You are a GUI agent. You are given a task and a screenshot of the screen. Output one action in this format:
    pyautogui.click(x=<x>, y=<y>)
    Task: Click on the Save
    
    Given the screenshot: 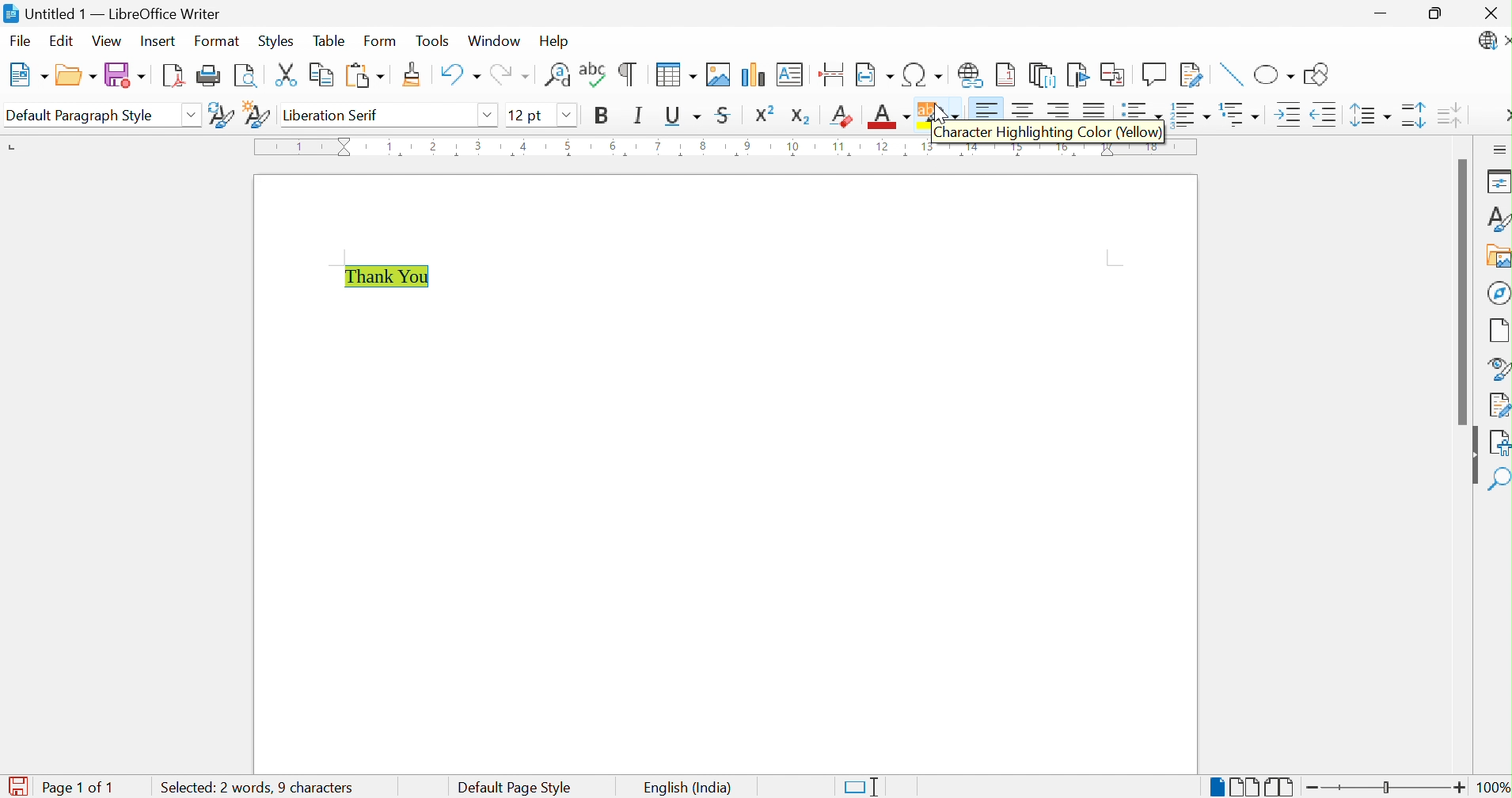 What is the action you would take?
    pyautogui.click(x=124, y=75)
    